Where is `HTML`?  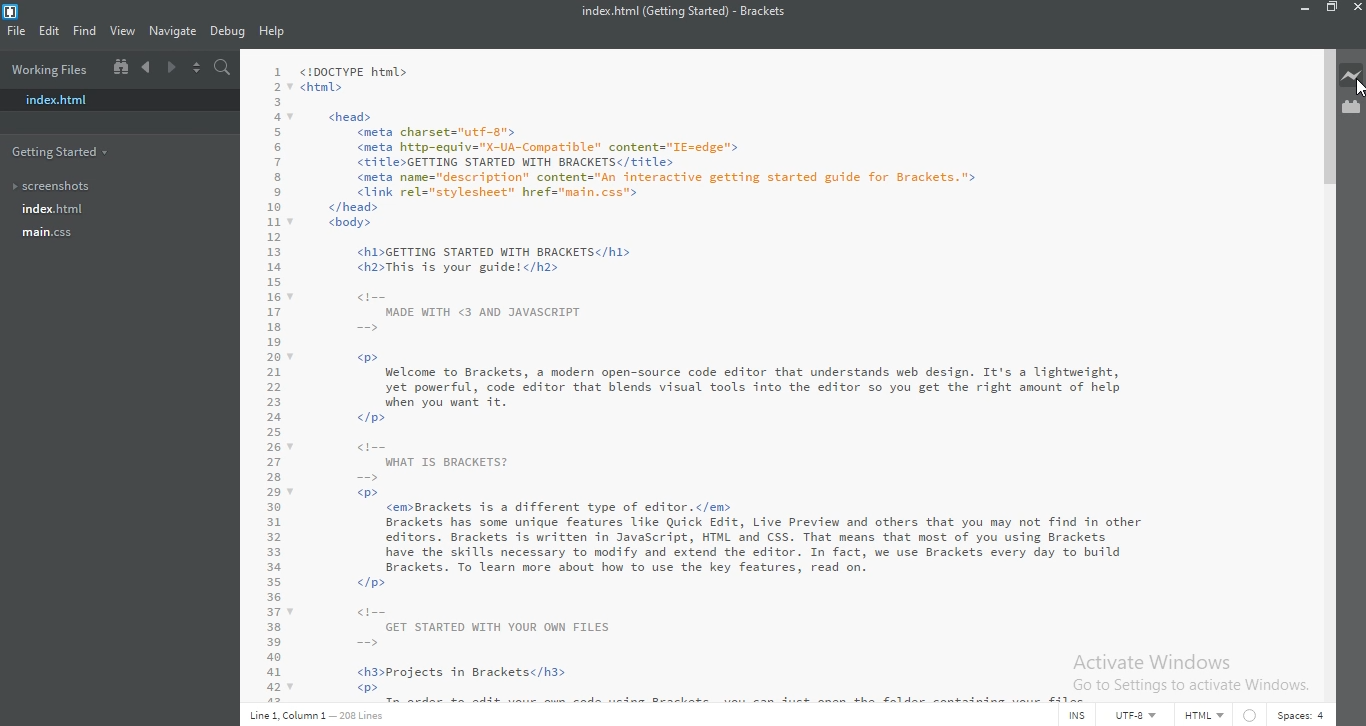
HTML is located at coordinates (1206, 717).